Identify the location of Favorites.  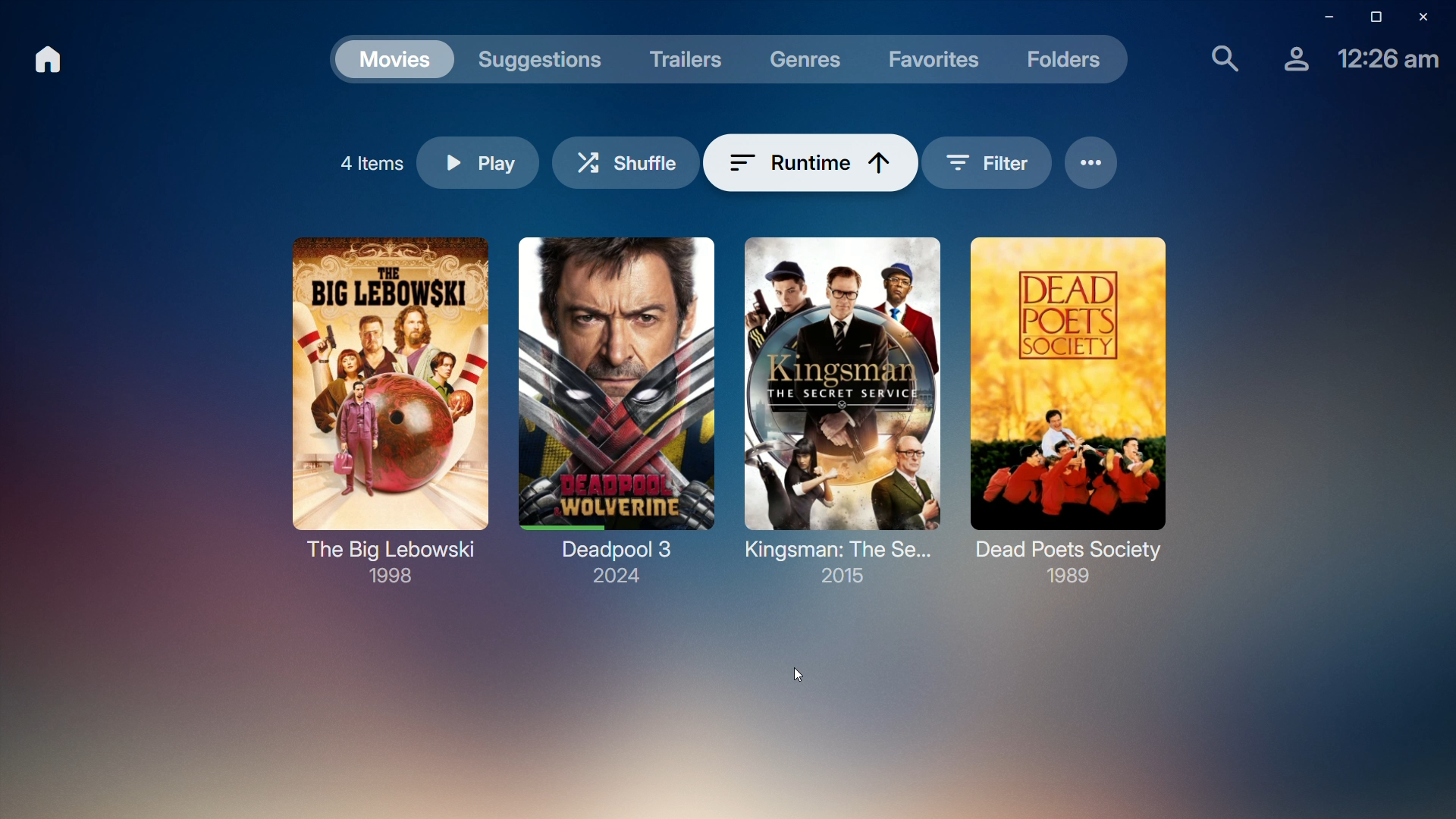
(936, 59).